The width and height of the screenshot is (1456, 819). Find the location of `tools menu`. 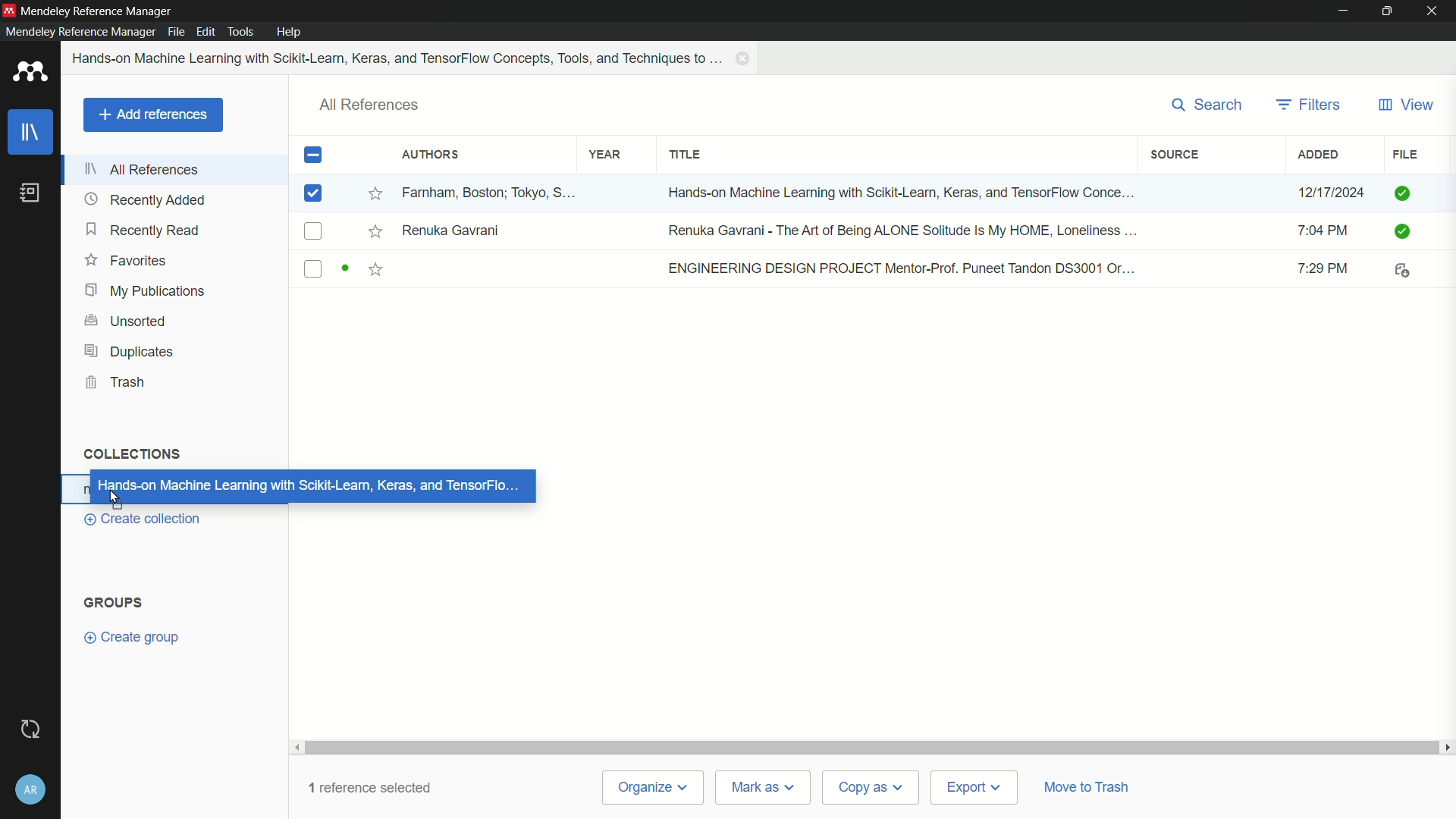

tools menu is located at coordinates (240, 33).